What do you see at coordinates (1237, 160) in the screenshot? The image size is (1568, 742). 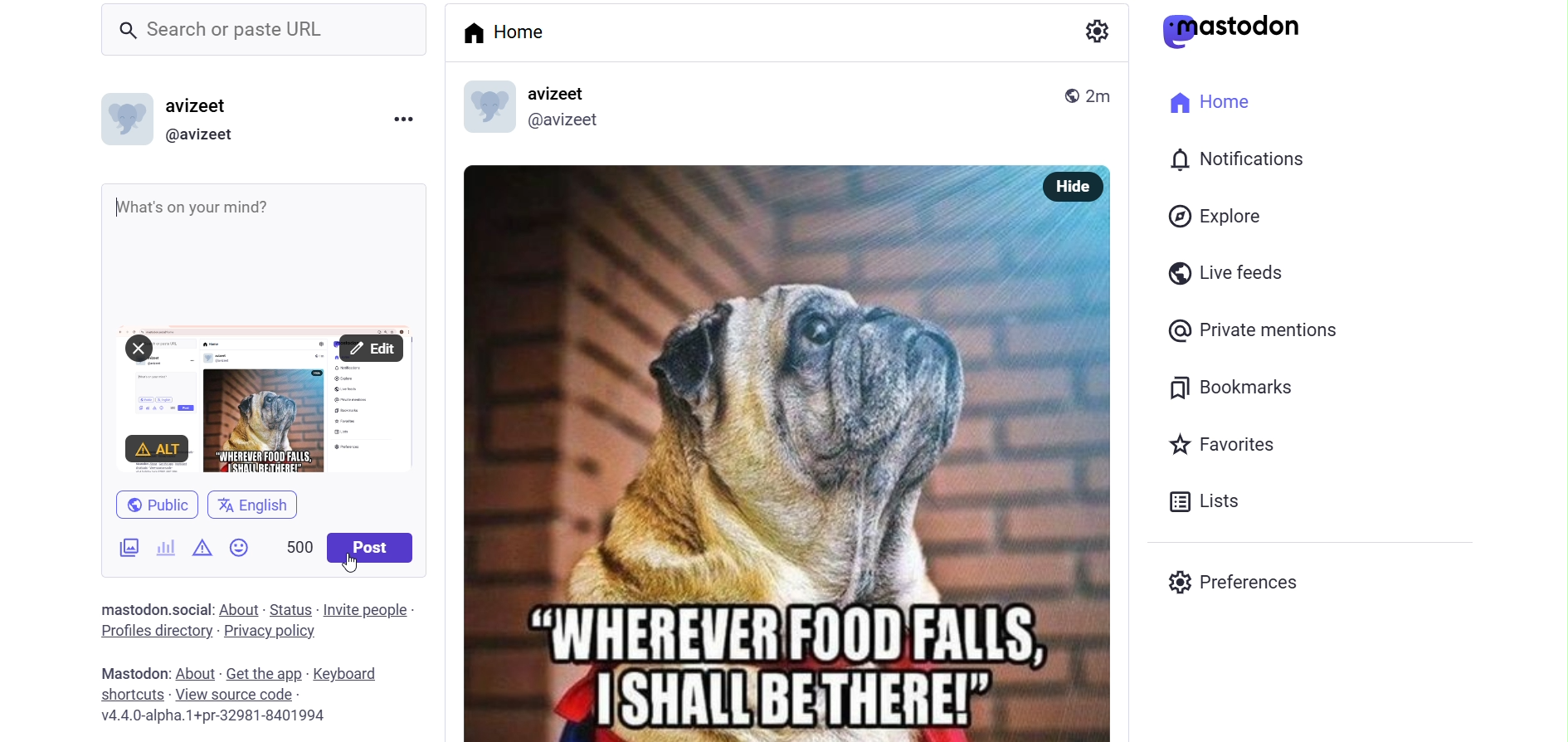 I see `notification` at bounding box center [1237, 160].